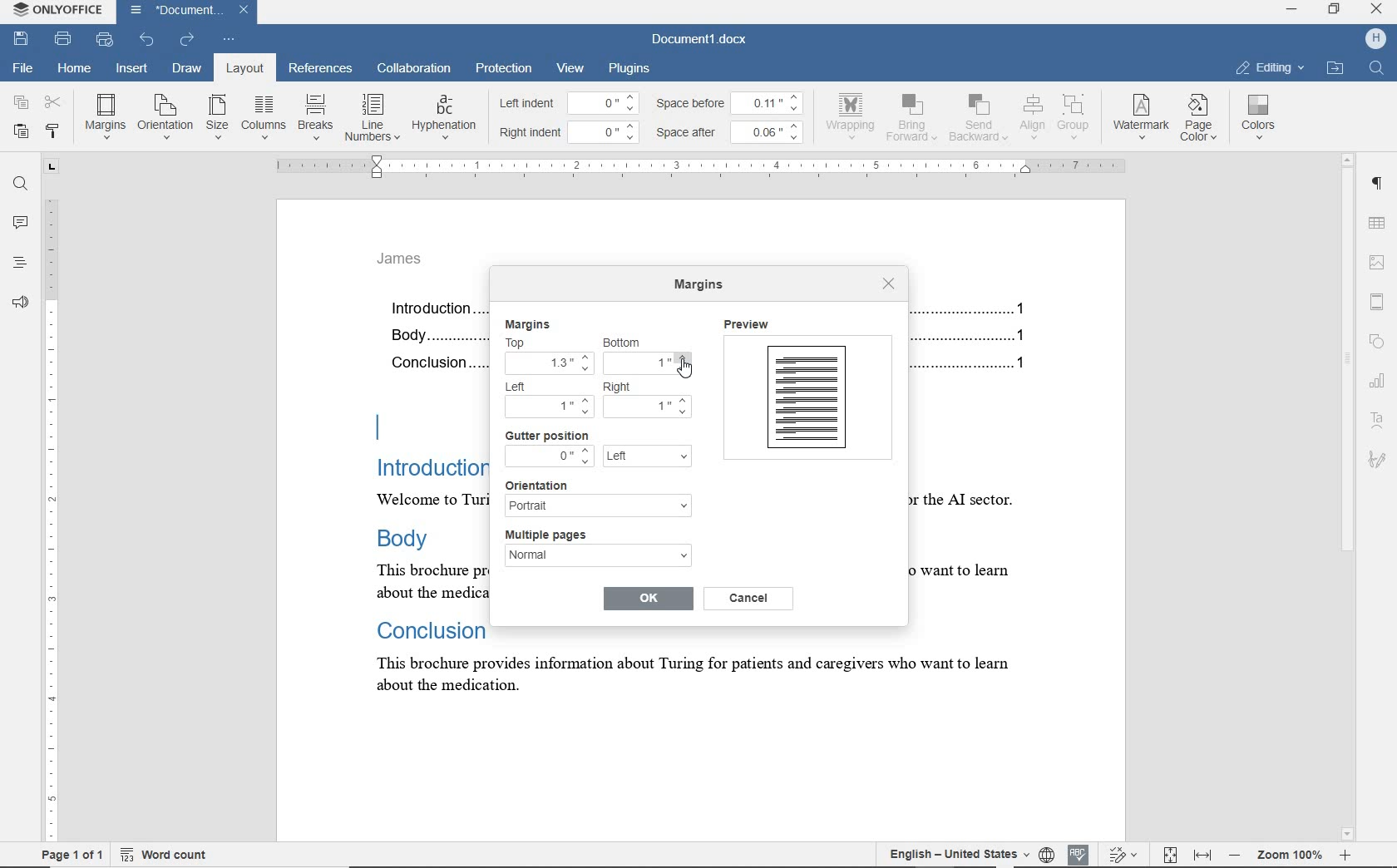 Image resolution: width=1397 pixels, height=868 pixels. I want to click on text, so click(416, 510).